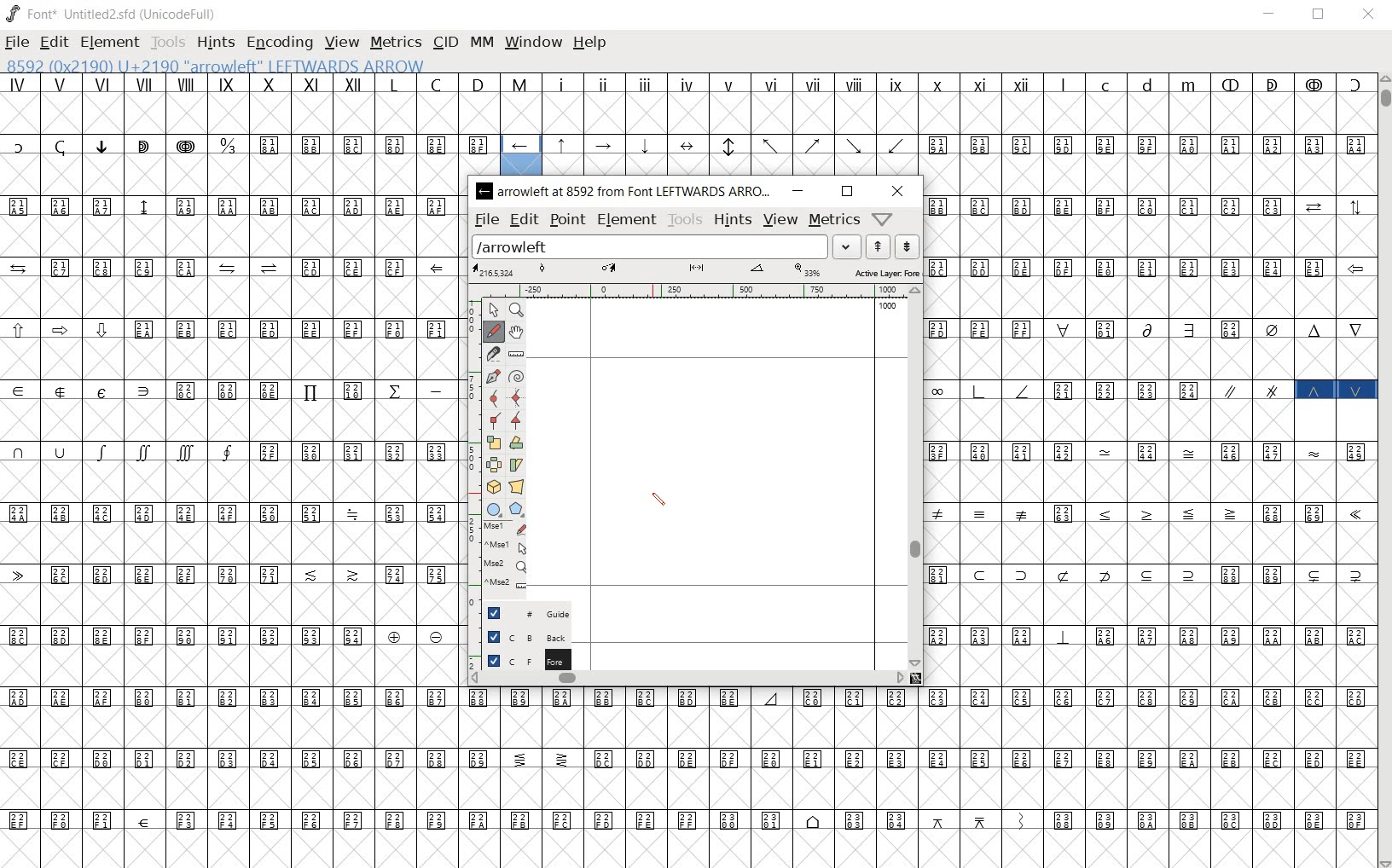 This screenshot has height=868, width=1392. Describe the element at coordinates (896, 191) in the screenshot. I see `close` at that location.